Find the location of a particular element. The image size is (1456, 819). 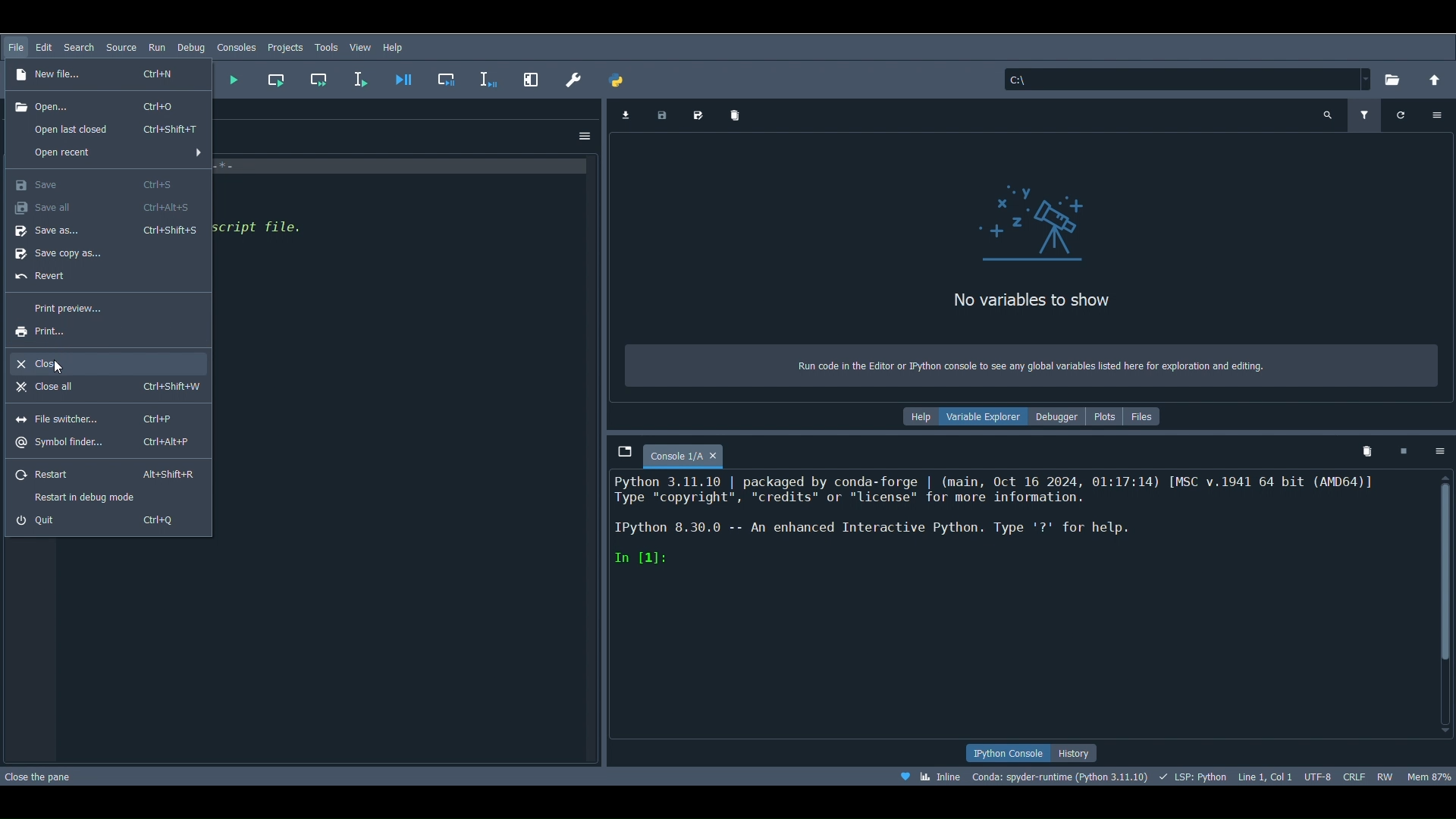

View is located at coordinates (360, 45).